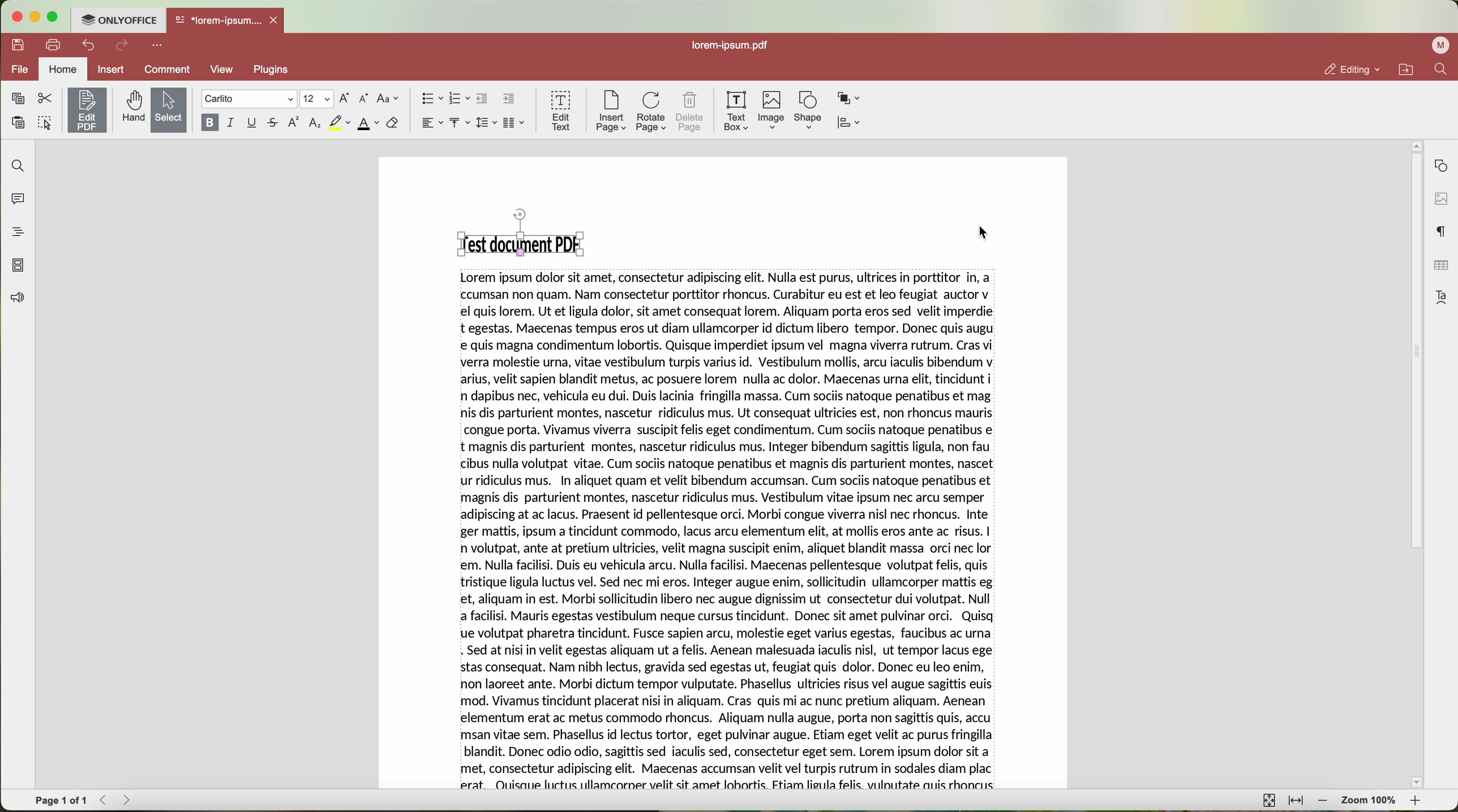 Image resolution: width=1458 pixels, height=812 pixels. What do you see at coordinates (1442, 46) in the screenshot?
I see `profile user` at bounding box center [1442, 46].